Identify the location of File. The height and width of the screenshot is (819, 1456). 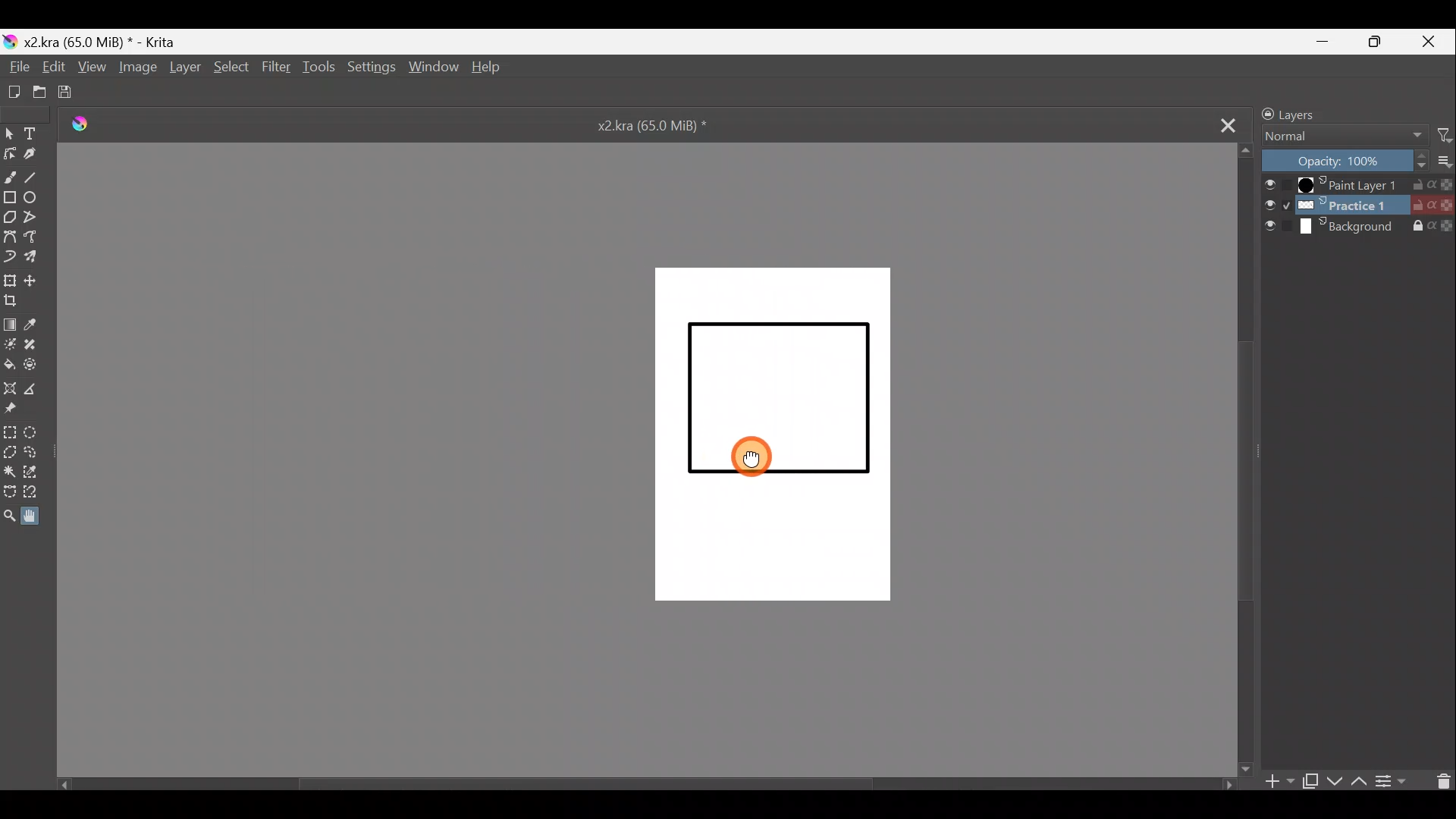
(17, 67).